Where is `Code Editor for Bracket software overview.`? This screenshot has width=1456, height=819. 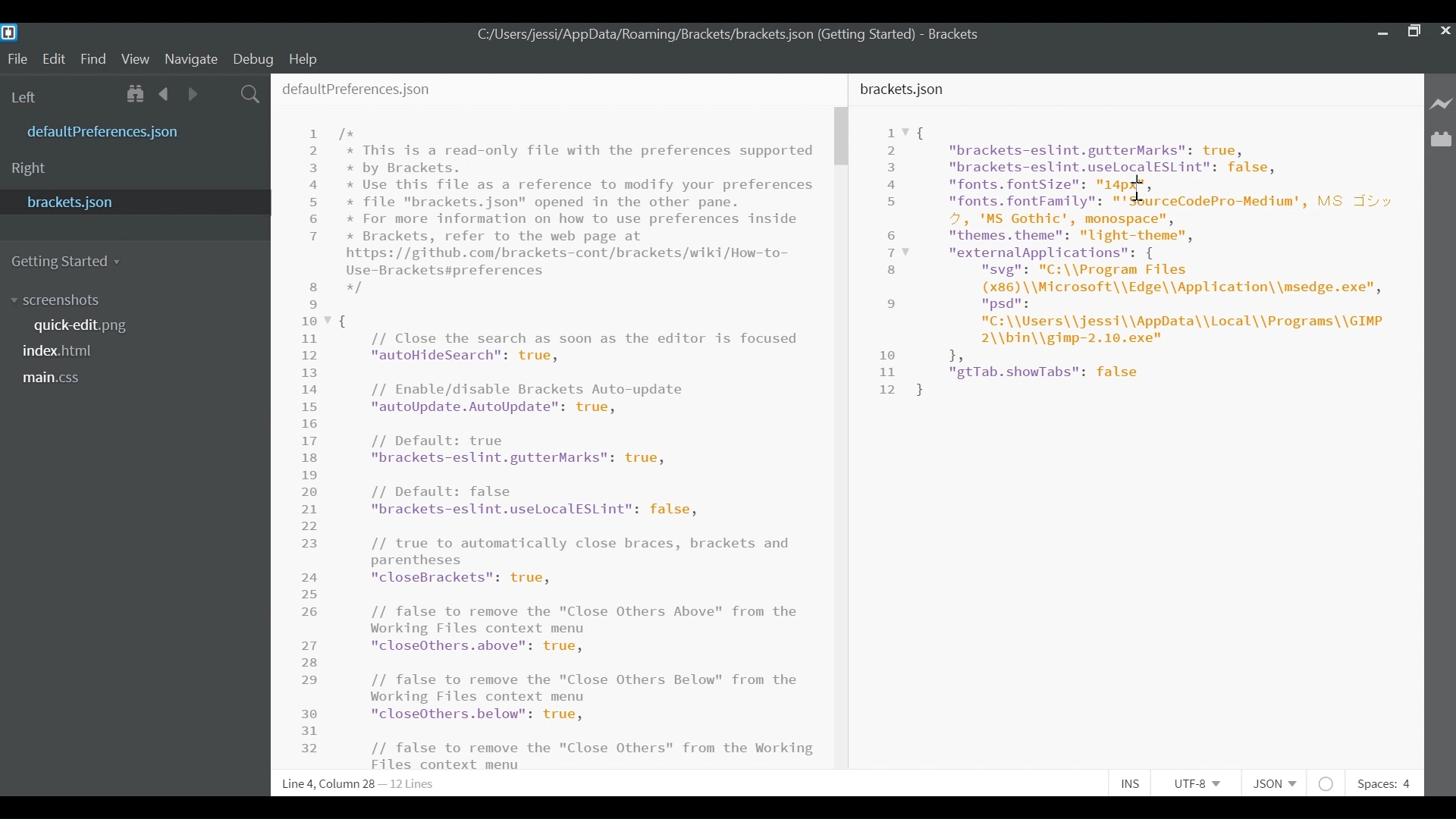 Code Editor for Bracket software overview. is located at coordinates (1166, 262).